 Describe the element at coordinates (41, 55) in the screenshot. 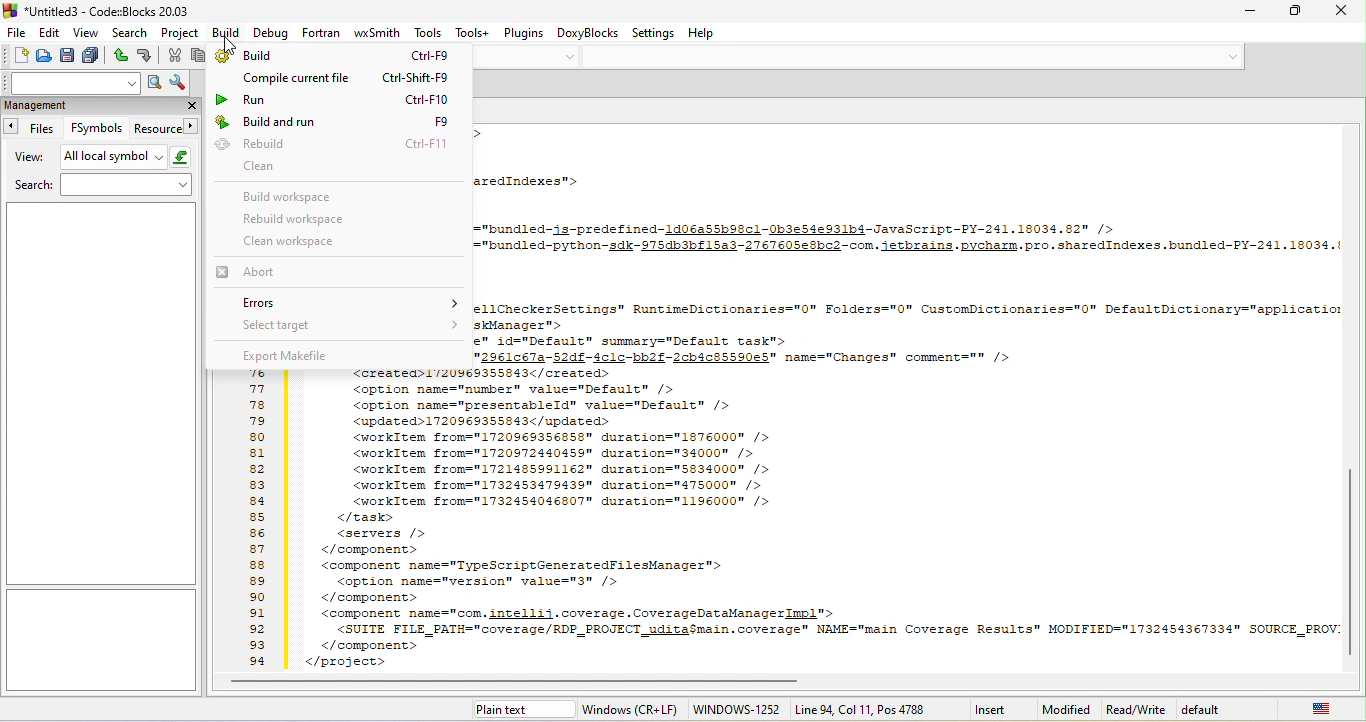

I see `open` at that location.